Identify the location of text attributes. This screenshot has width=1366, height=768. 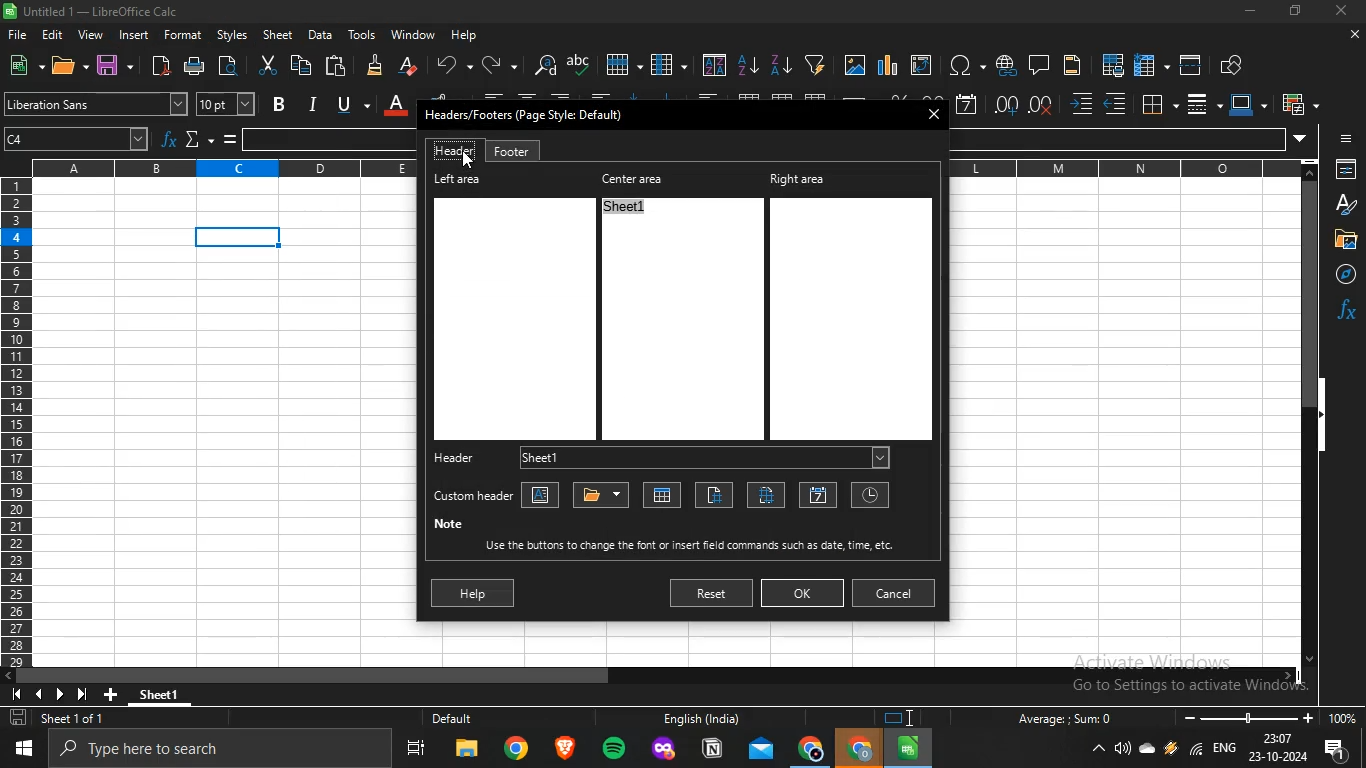
(543, 495).